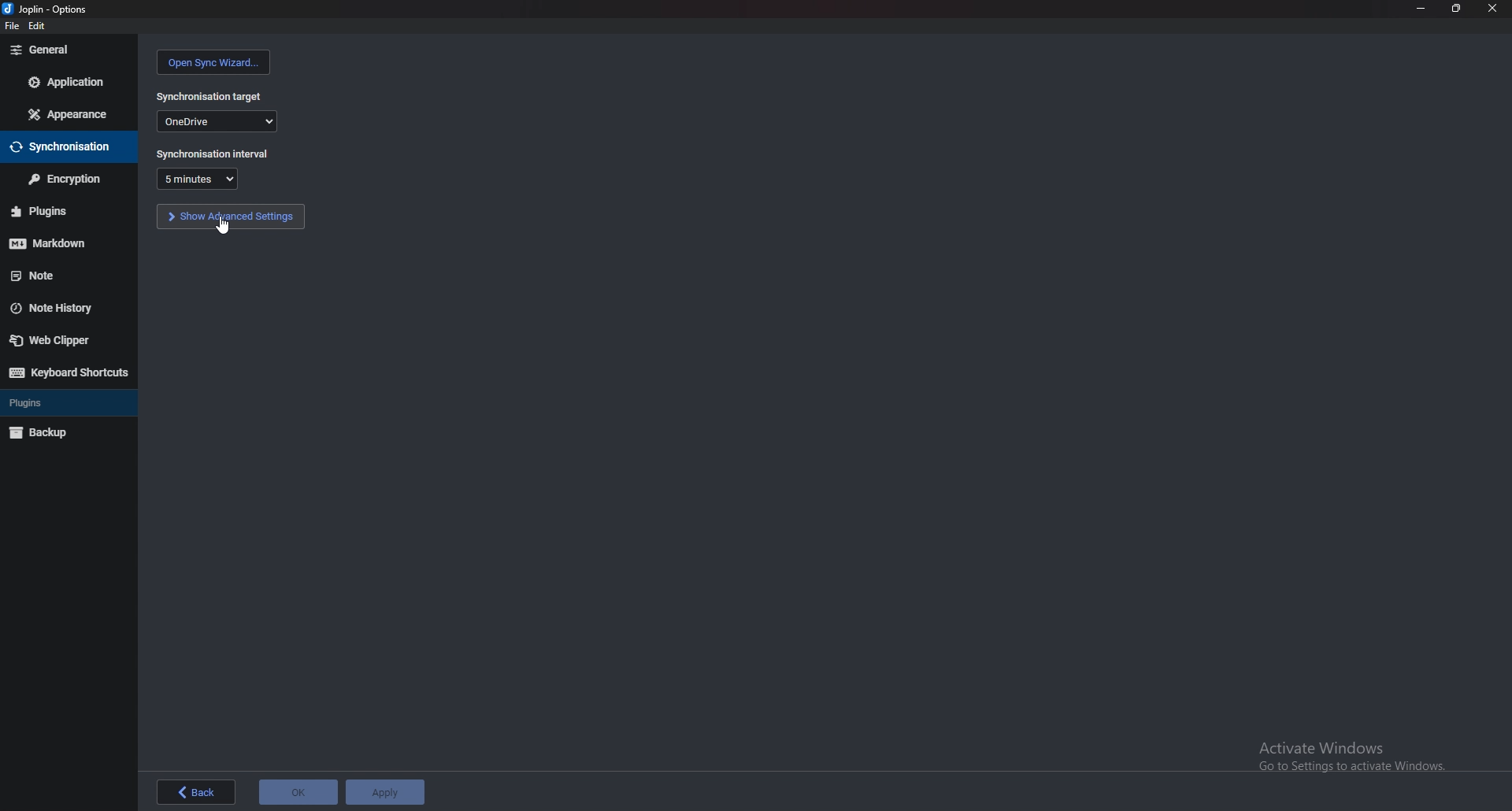 The height and width of the screenshot is (811, 1512). What do you see at coordinates (207, 96) in the screenshot?
I see `sync target` at bounding box center [207, 96].